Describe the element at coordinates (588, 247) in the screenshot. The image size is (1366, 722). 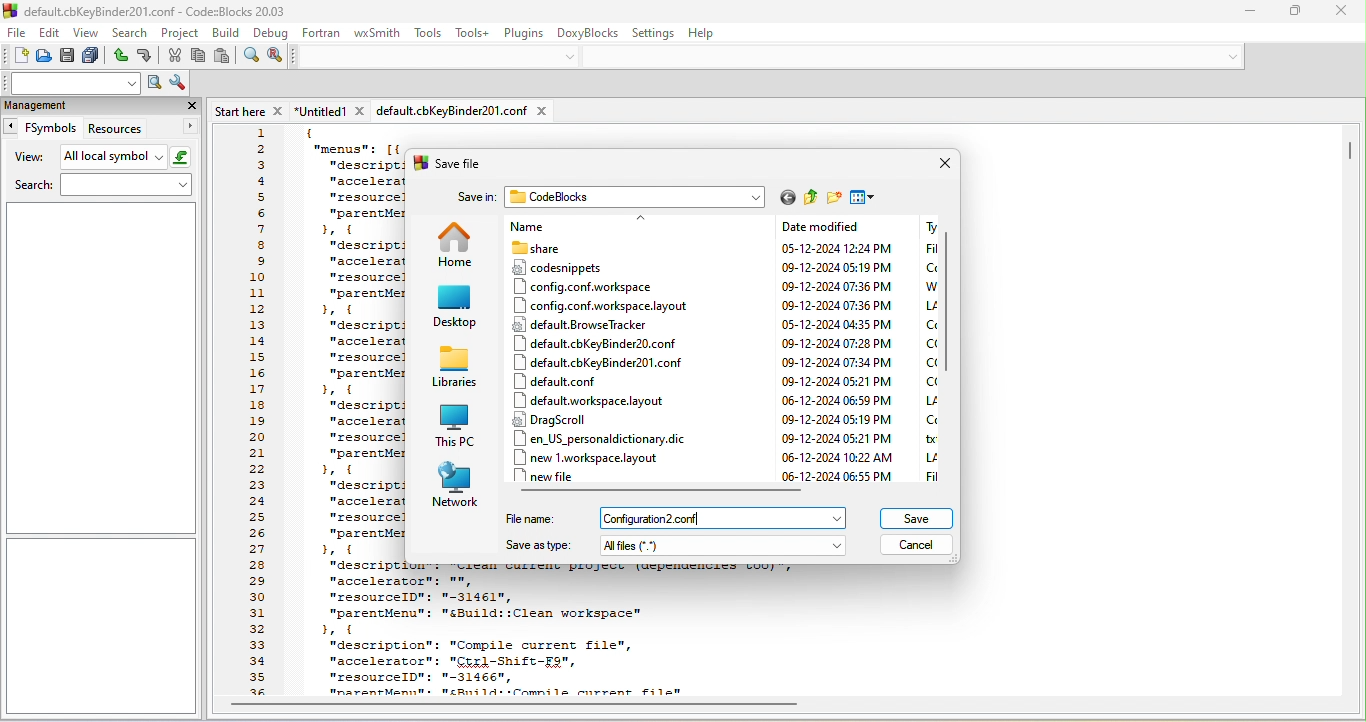
I see `share` at that location.